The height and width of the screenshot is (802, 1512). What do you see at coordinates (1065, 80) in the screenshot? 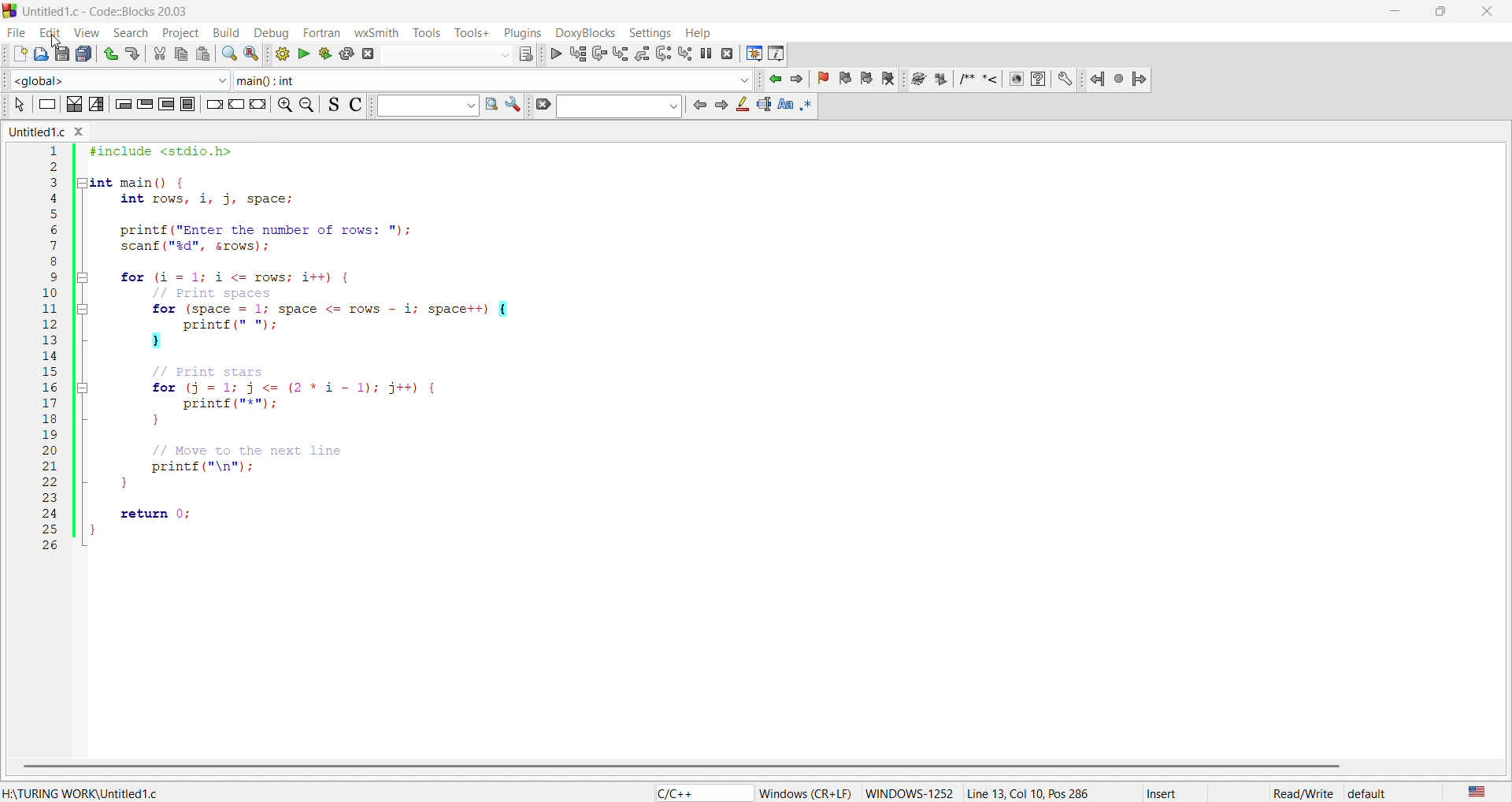
I see `settings` at bounding box center [1065, 80].